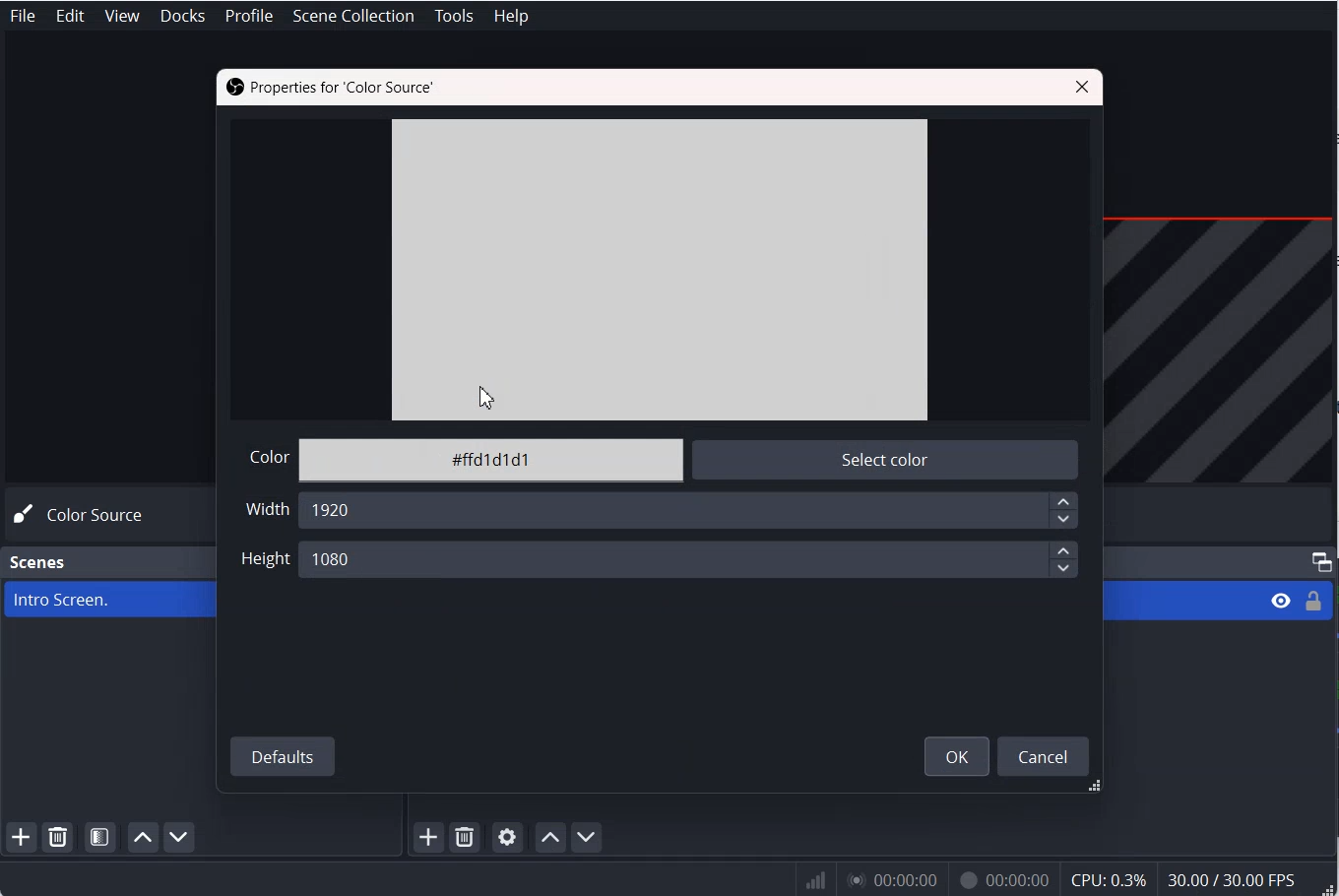 The width and height of the screenshot is (1339, 896). What do you see at coordinates (123, 16) in the screenshot?
I see `View` at bounding box center [123, 16].